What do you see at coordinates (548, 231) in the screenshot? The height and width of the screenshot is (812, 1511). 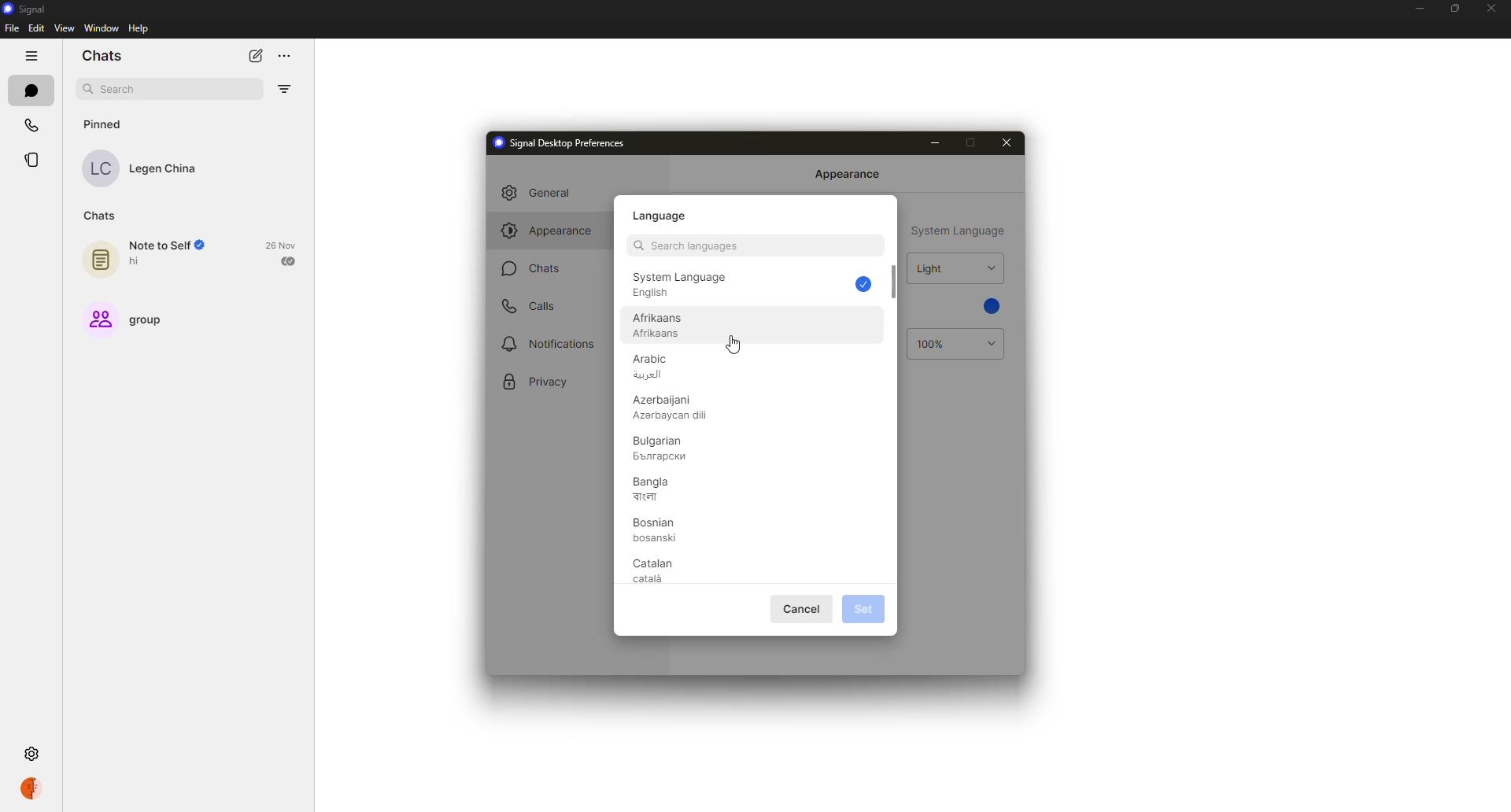 I see `appearance` at bounding box center [548, 231].